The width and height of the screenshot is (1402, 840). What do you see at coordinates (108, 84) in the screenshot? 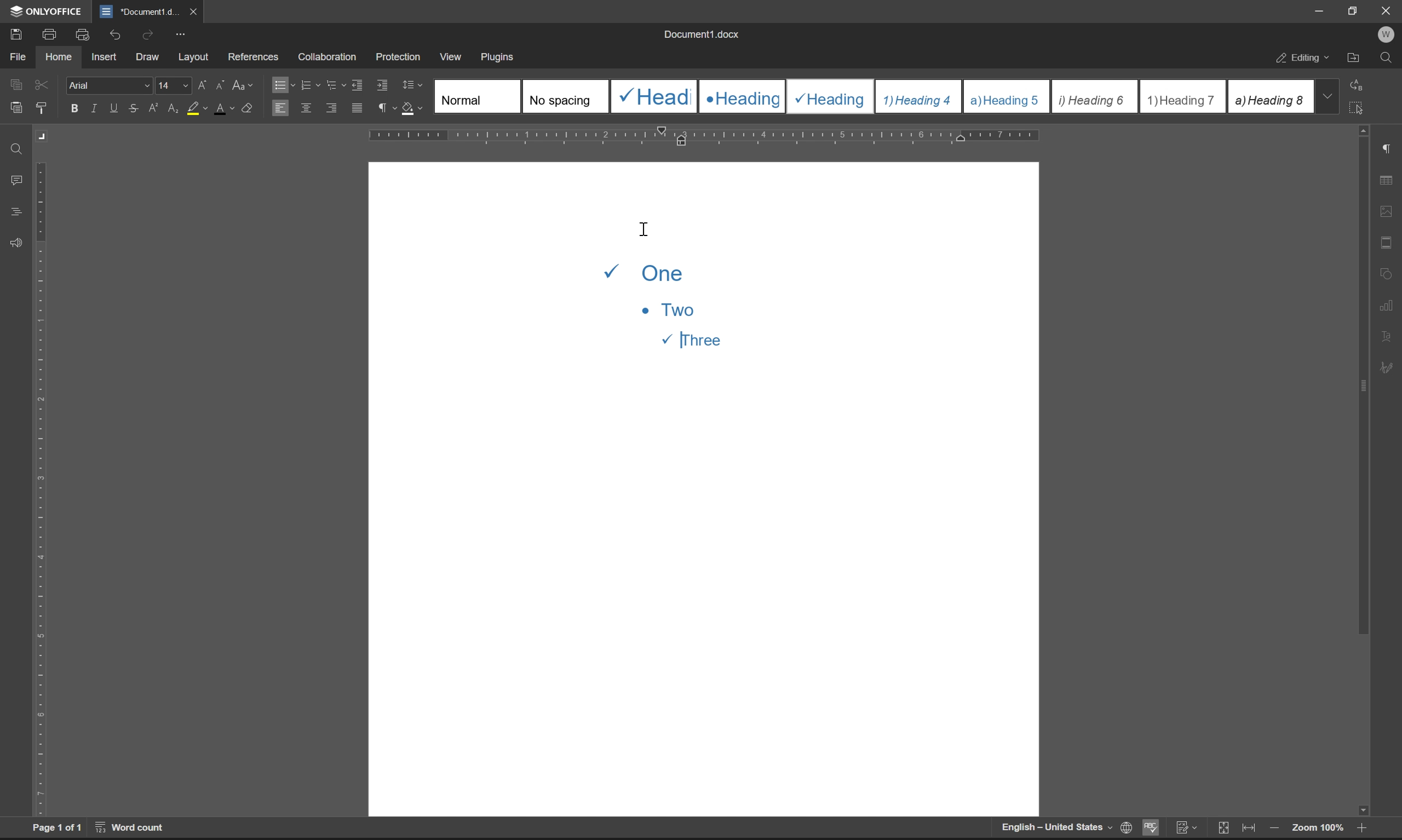
I see `Arial` at bounding box center [108, 84].